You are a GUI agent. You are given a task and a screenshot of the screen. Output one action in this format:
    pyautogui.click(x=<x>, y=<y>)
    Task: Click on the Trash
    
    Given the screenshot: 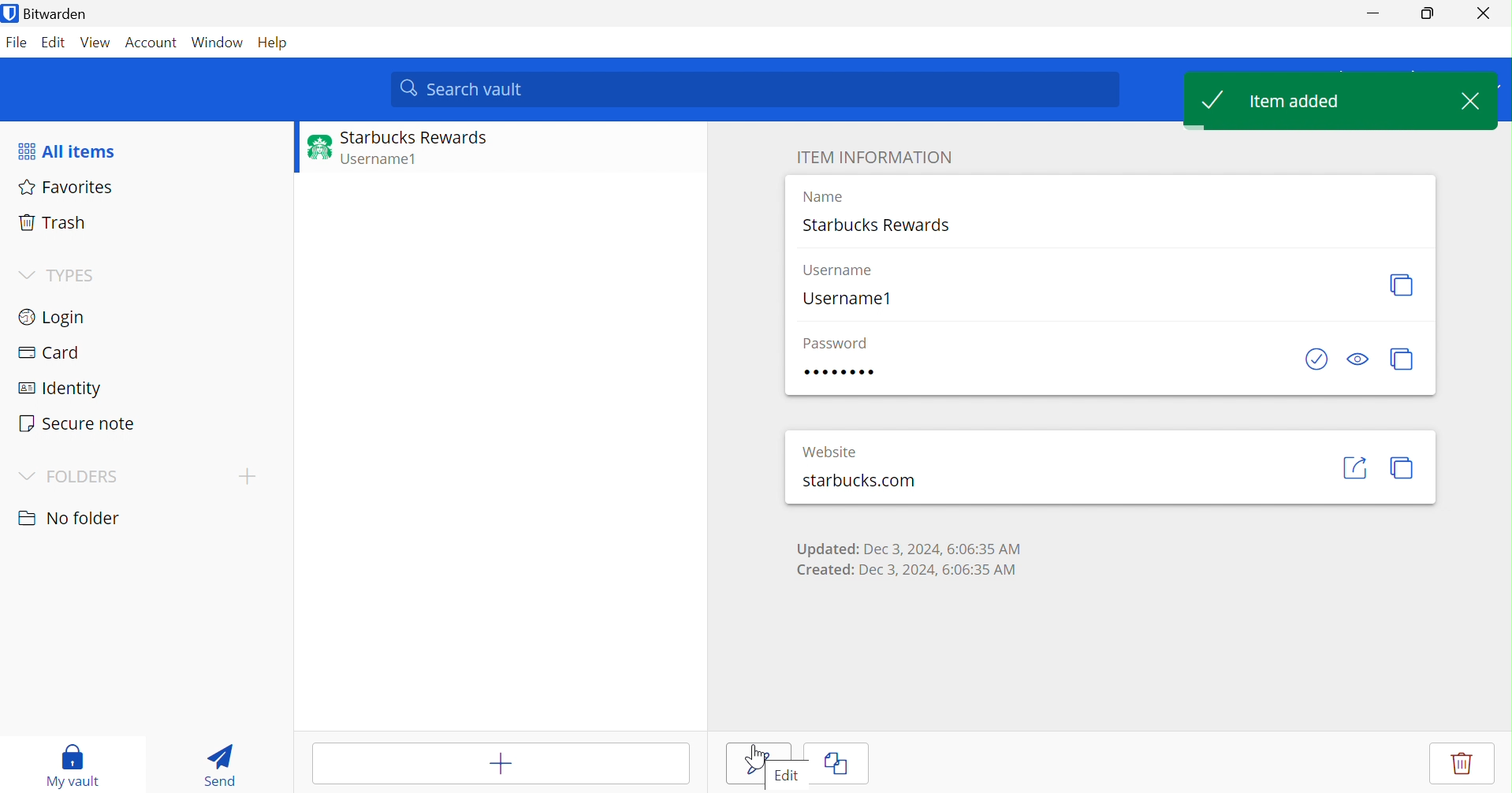 What is the action you would take?
    pyautogui.click(x=51, y=225)
    